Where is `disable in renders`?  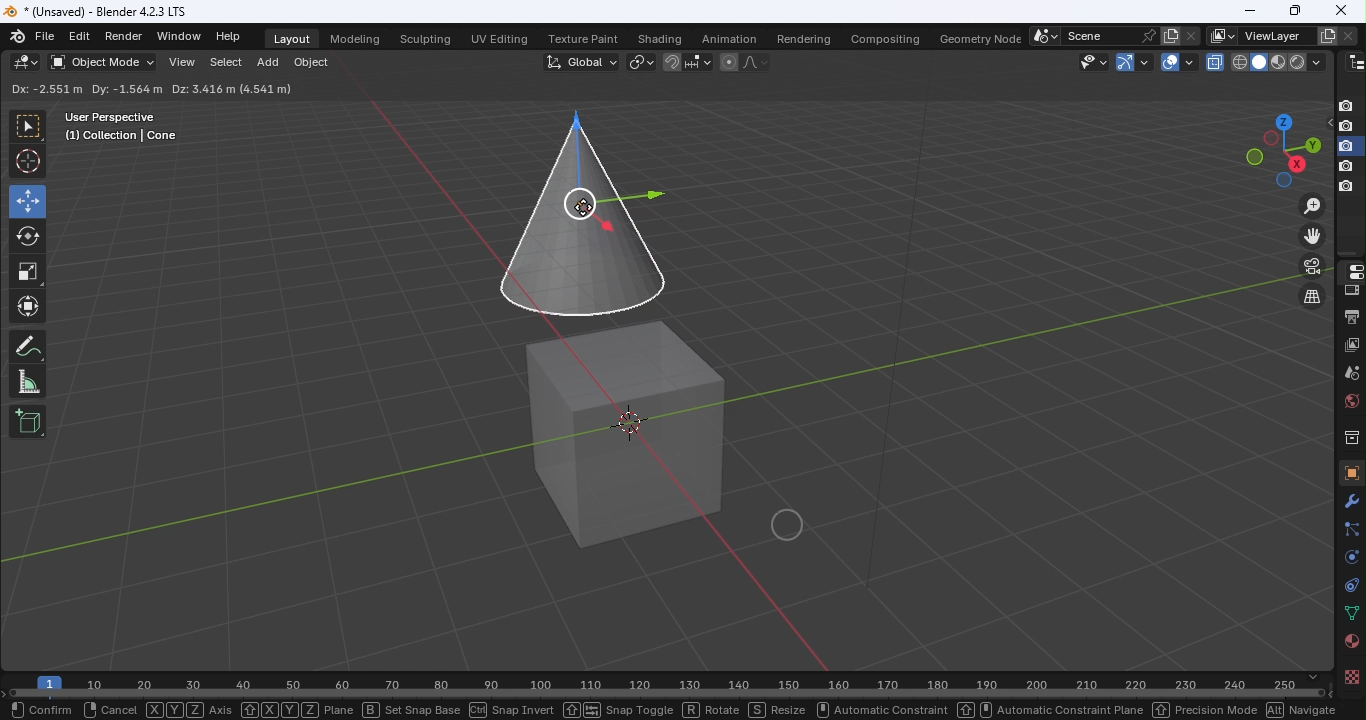
disable in renders is located at coordinates (1345, 167).